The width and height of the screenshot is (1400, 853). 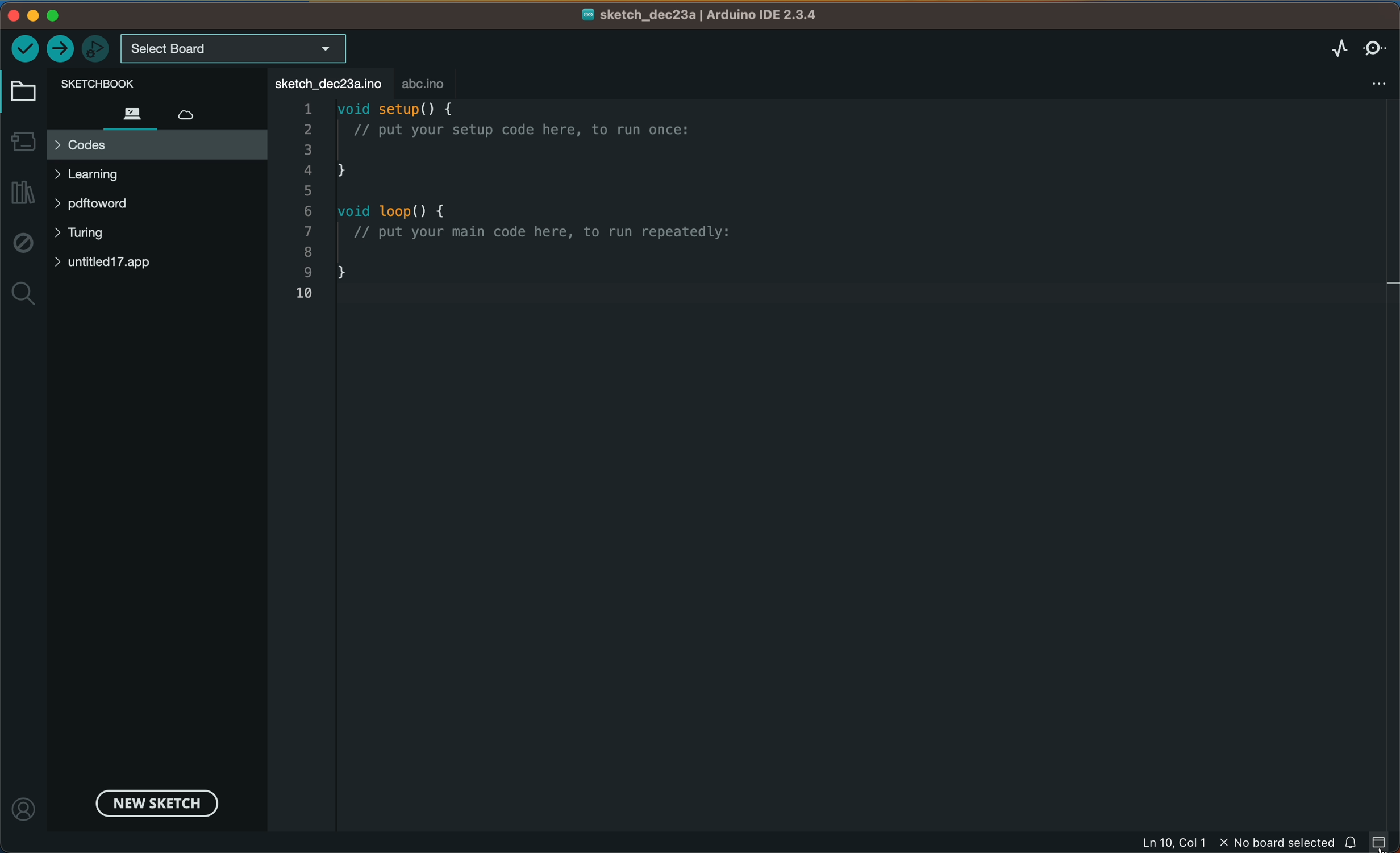 I want to click on upload, so click(x=58, y=48).